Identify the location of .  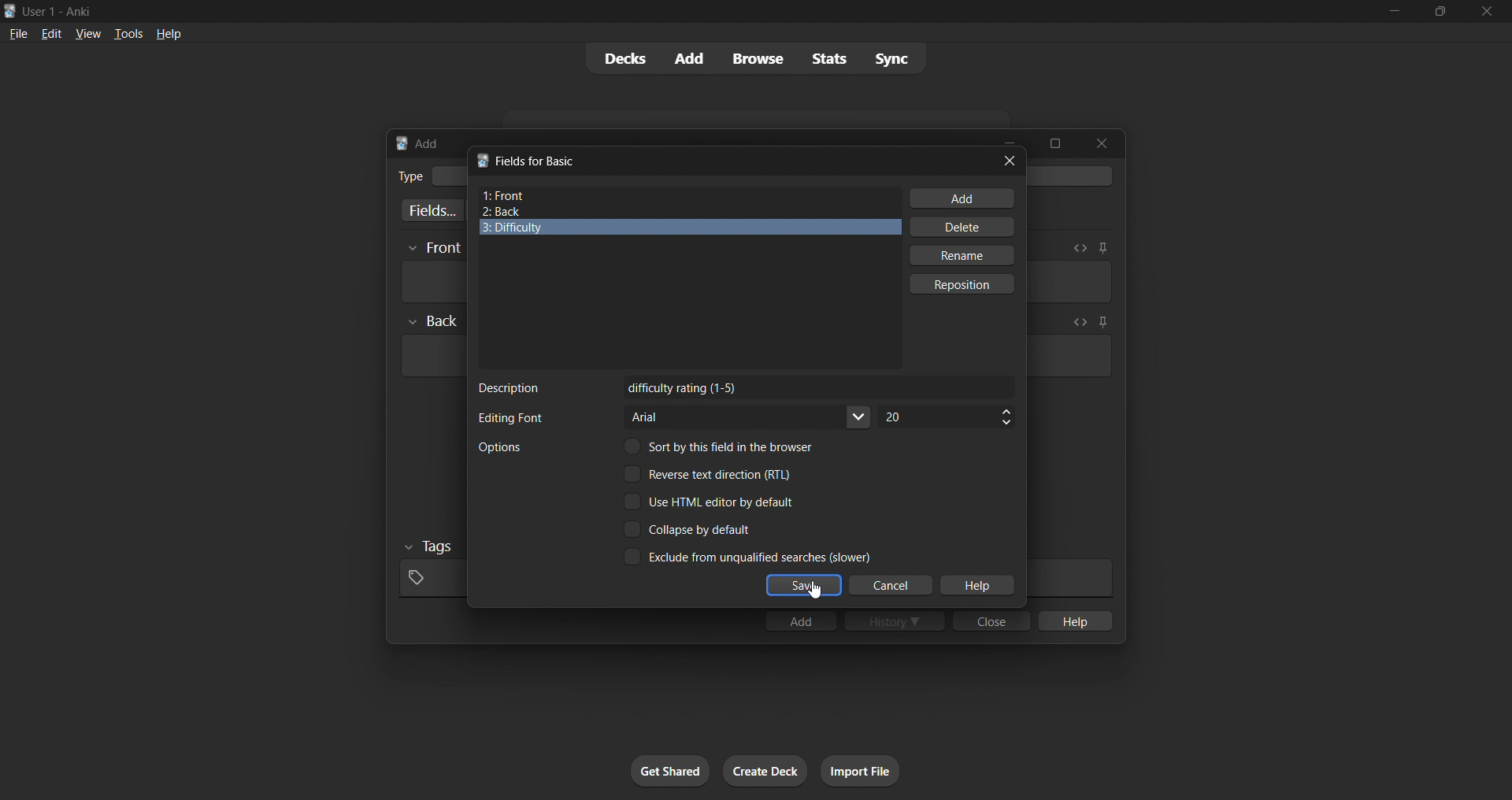
(434, 249).